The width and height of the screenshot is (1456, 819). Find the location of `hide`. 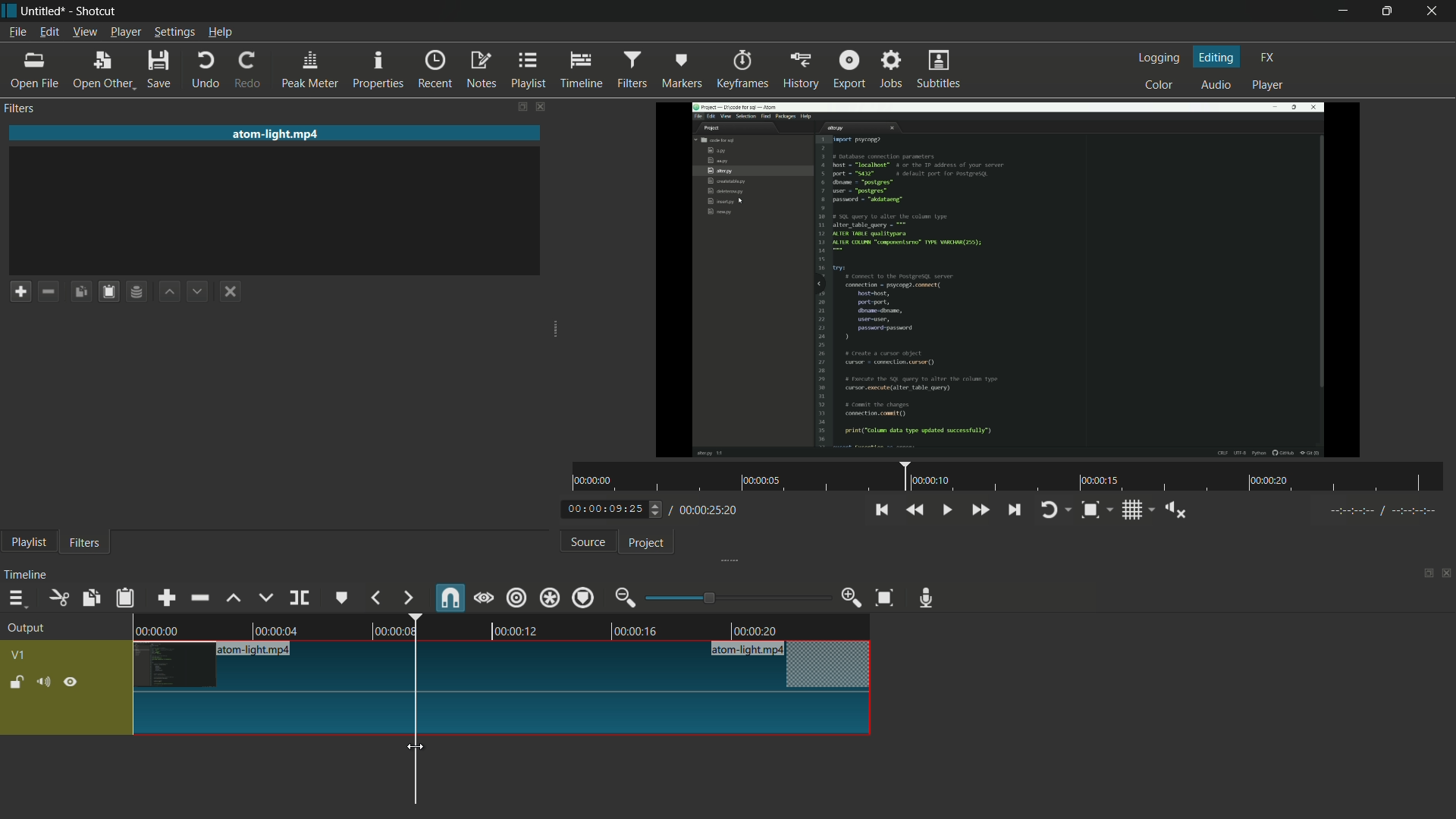

hide is located at coordinates (72, 681).